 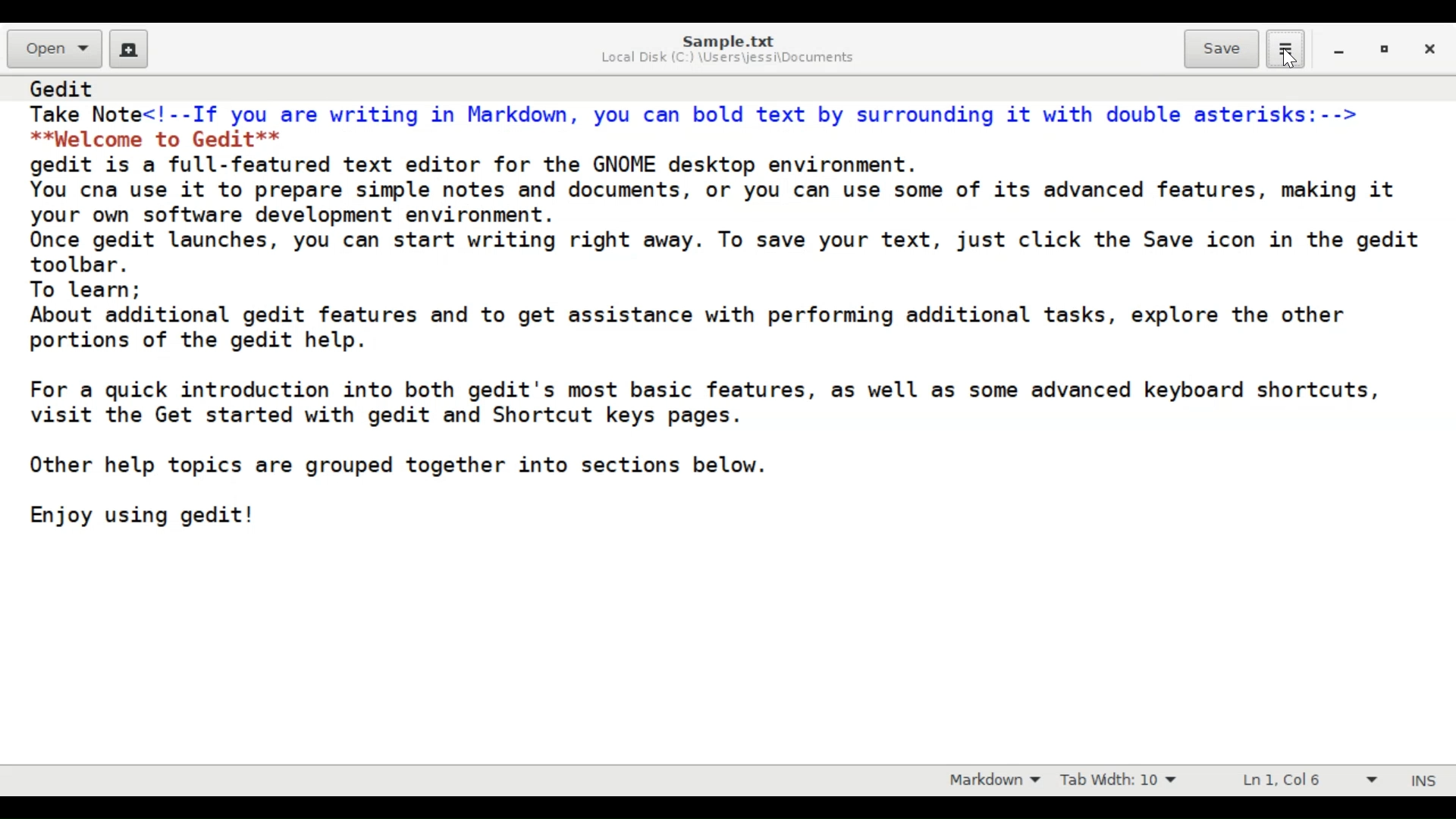 What do you see at coordinates (1120, 781) in the screenshot?
I see `Tab Width` at bounding box center [1120, 781].